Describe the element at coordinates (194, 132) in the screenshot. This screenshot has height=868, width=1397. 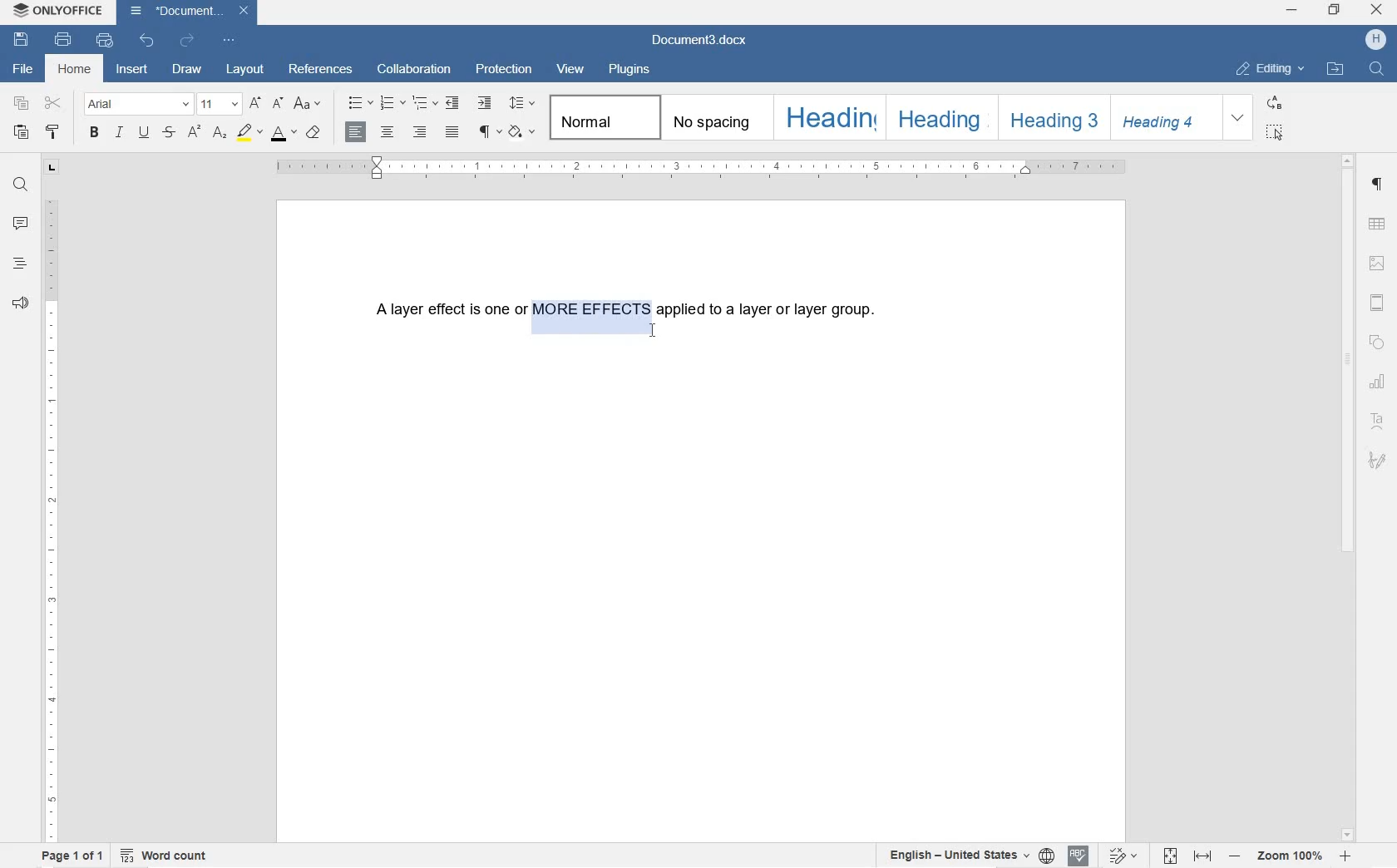
I see `SUPERSCRIPT` at that location.